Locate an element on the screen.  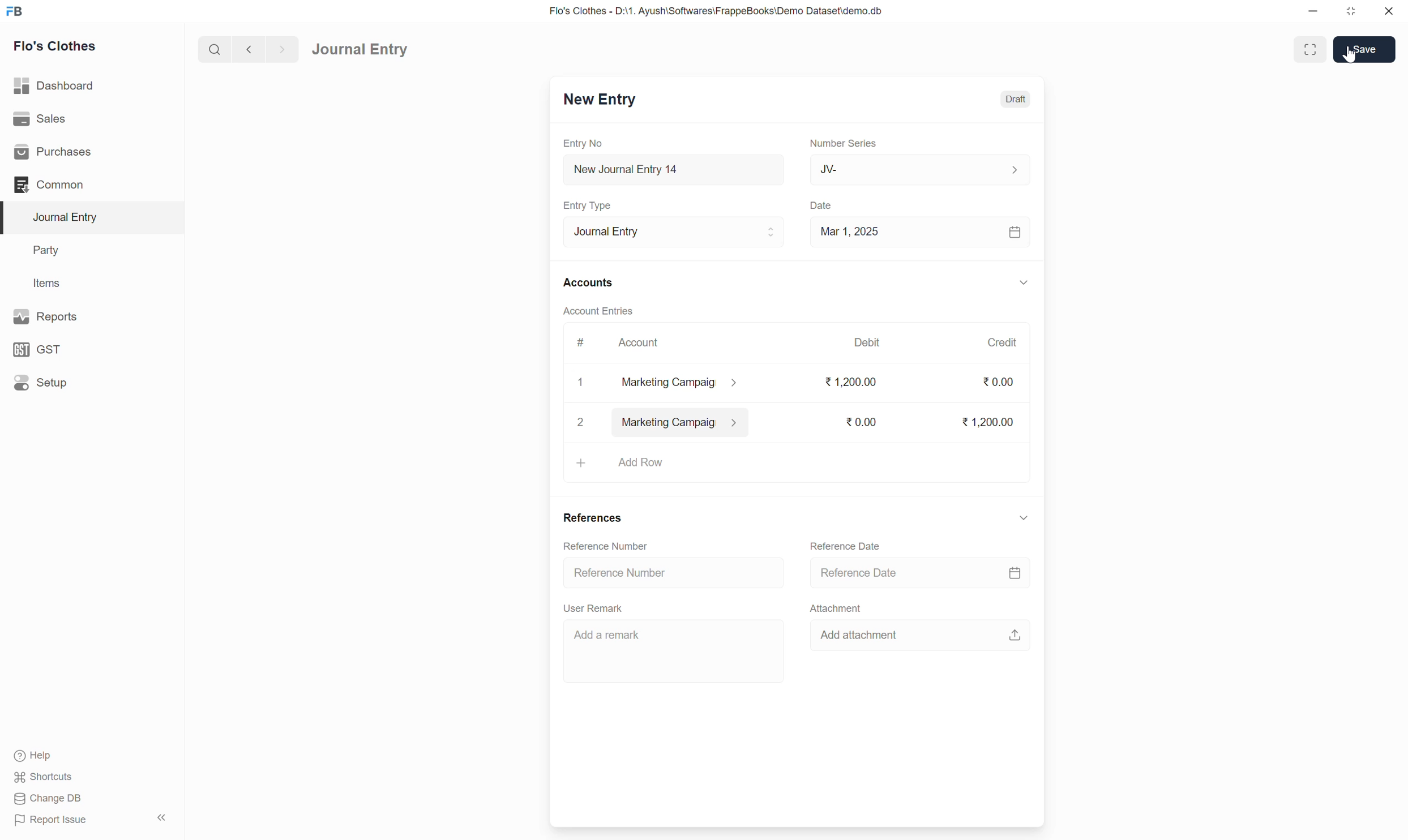
Accounts is located at coordinates (590, 281).